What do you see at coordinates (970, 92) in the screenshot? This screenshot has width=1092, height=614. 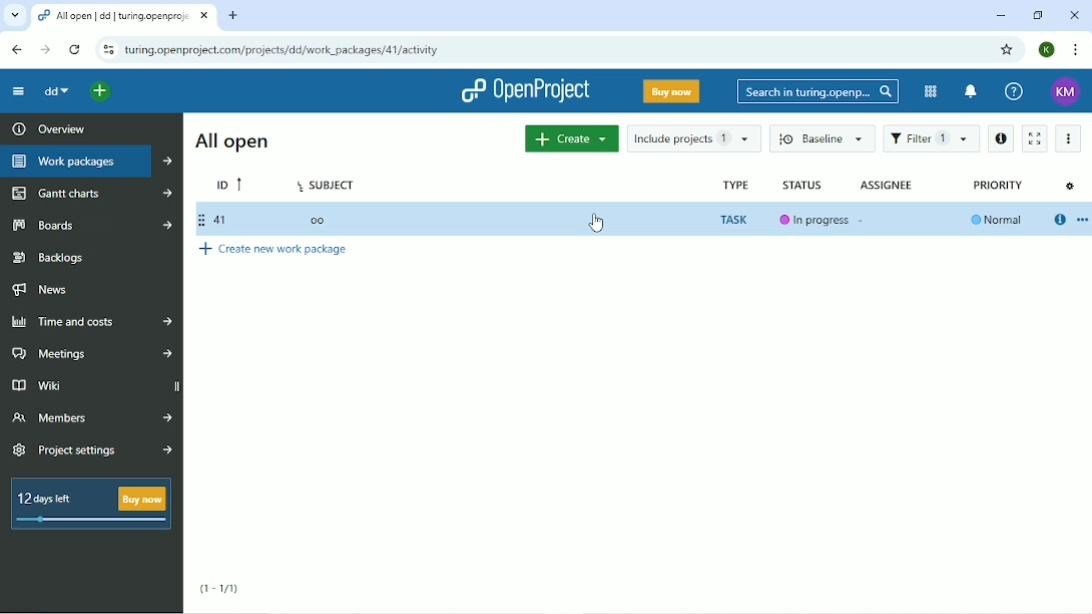 I see `To notification center` at bounding box center [970, 92].